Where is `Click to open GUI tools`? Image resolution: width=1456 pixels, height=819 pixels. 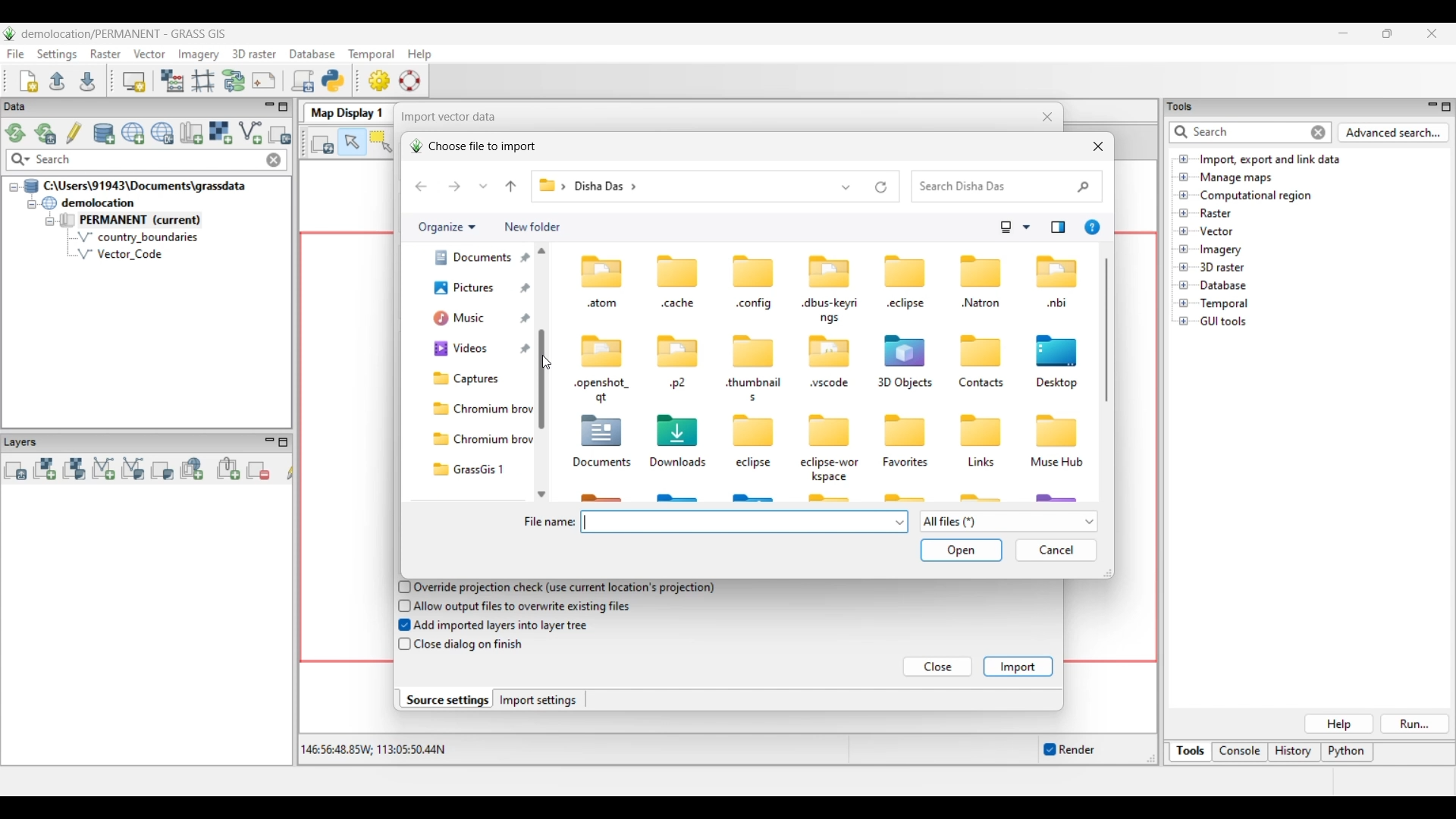 Click to open GUI tools is located at coordinates (1184, 322).